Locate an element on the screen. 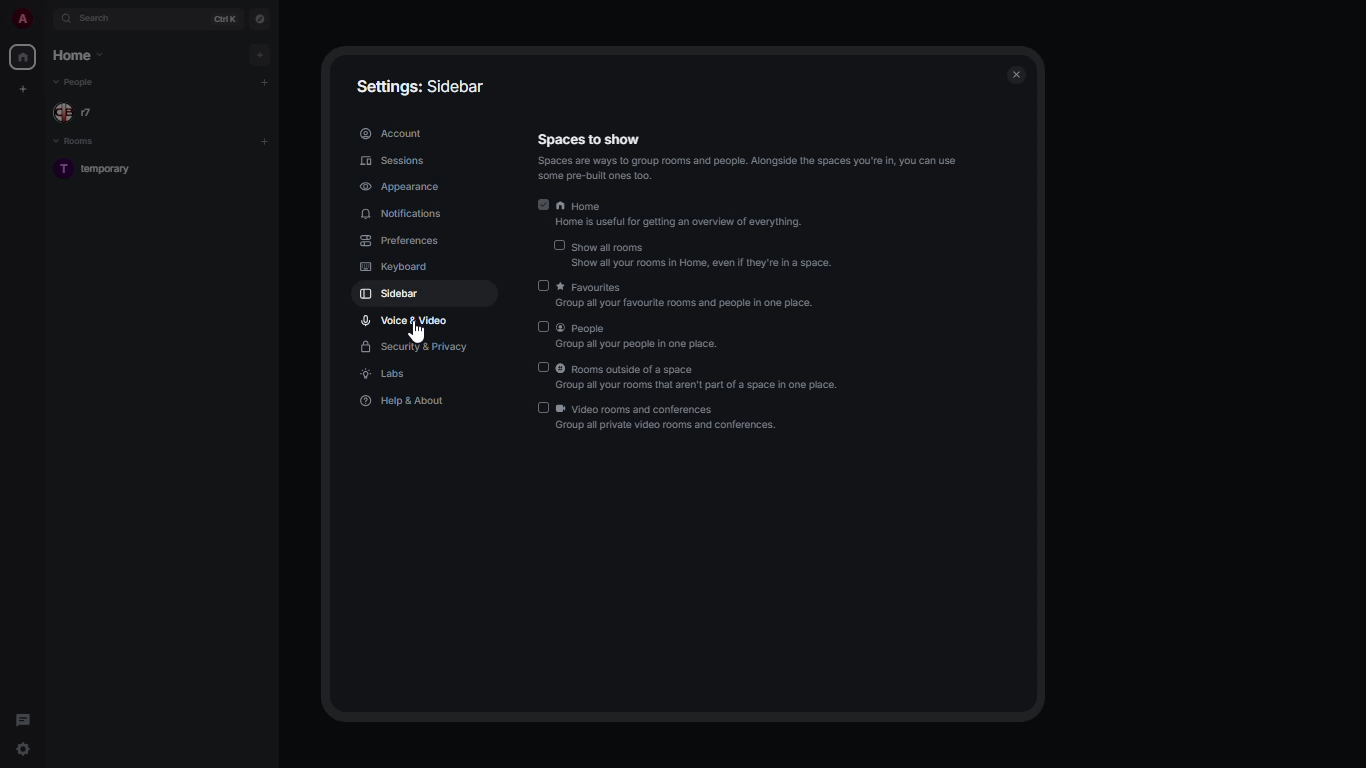  cursor is located at coordinates (421, 332).